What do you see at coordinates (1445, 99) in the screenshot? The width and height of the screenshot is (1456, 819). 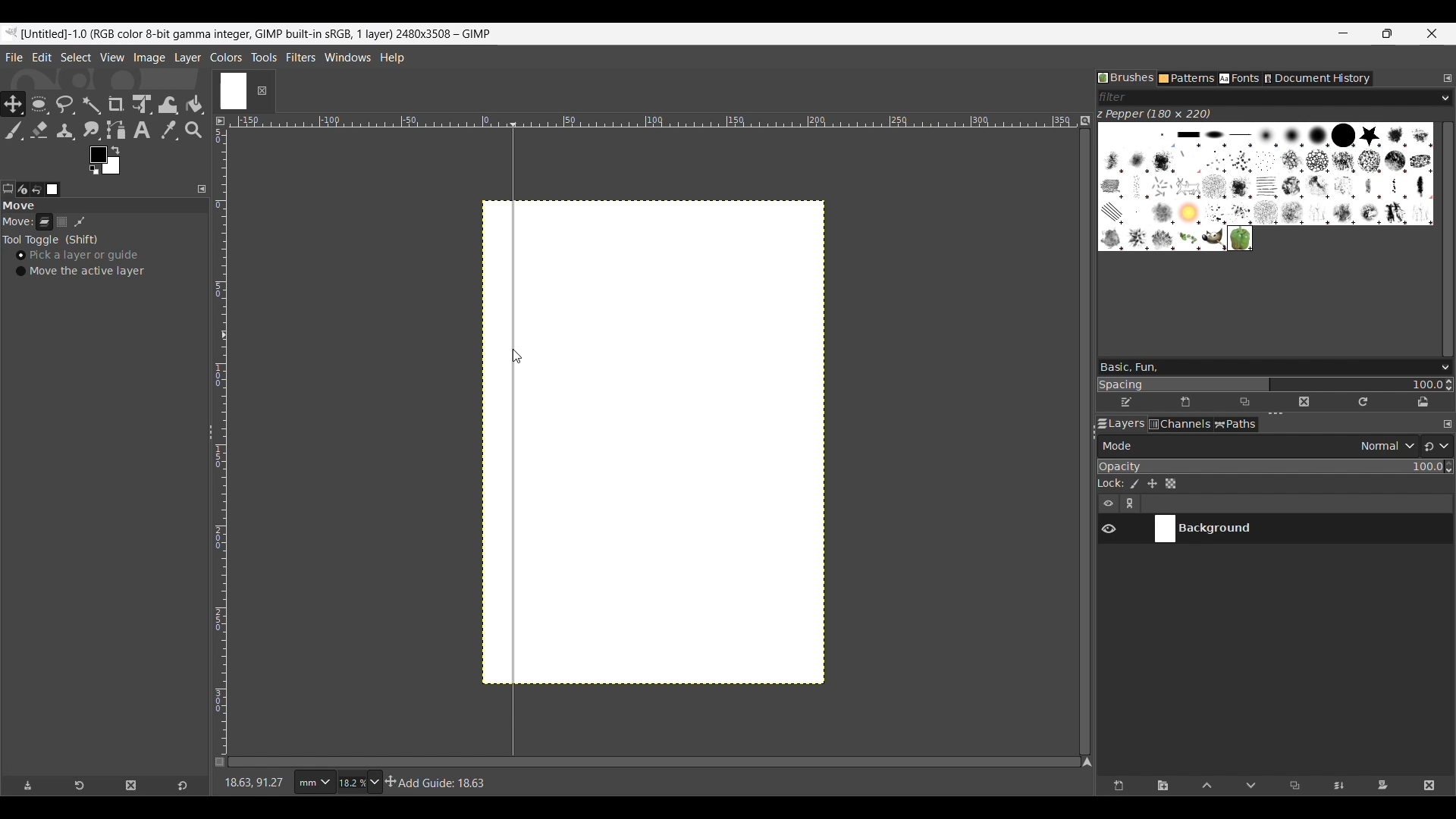 I see `Brush filter options` at bounding box center [1445, 99].